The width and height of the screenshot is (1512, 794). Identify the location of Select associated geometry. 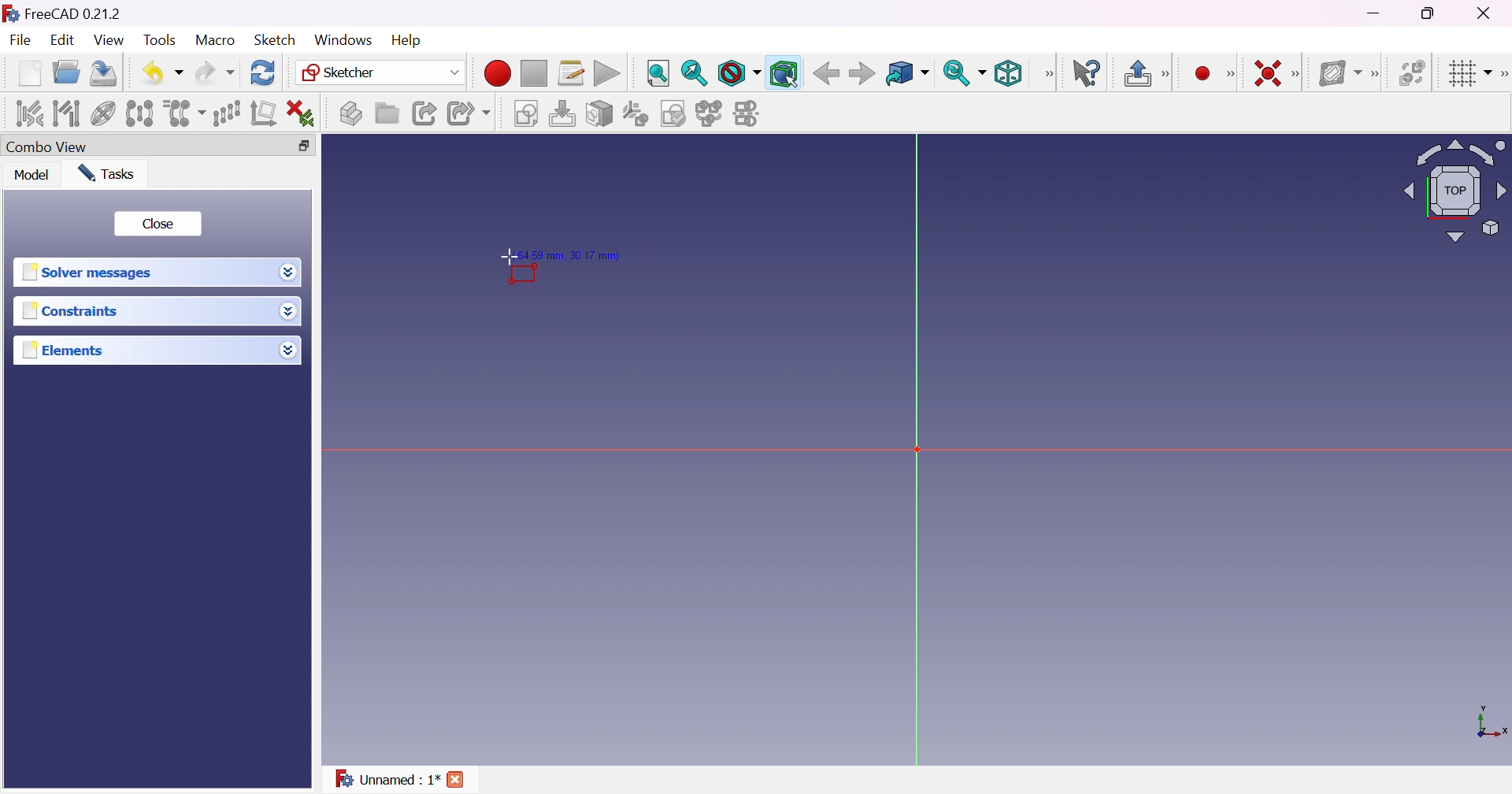
(65, 113).